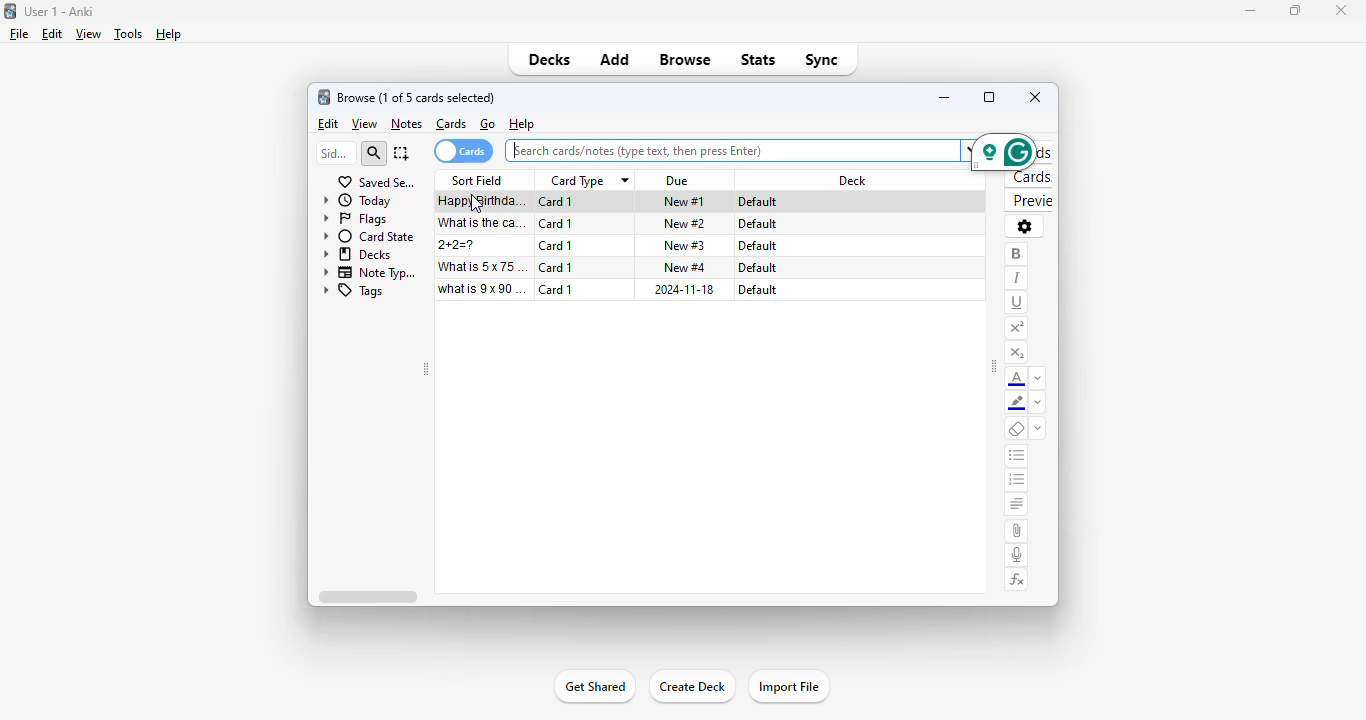 This screenshot has height=720, width=1366. I want to click on due, so click(679, 181).